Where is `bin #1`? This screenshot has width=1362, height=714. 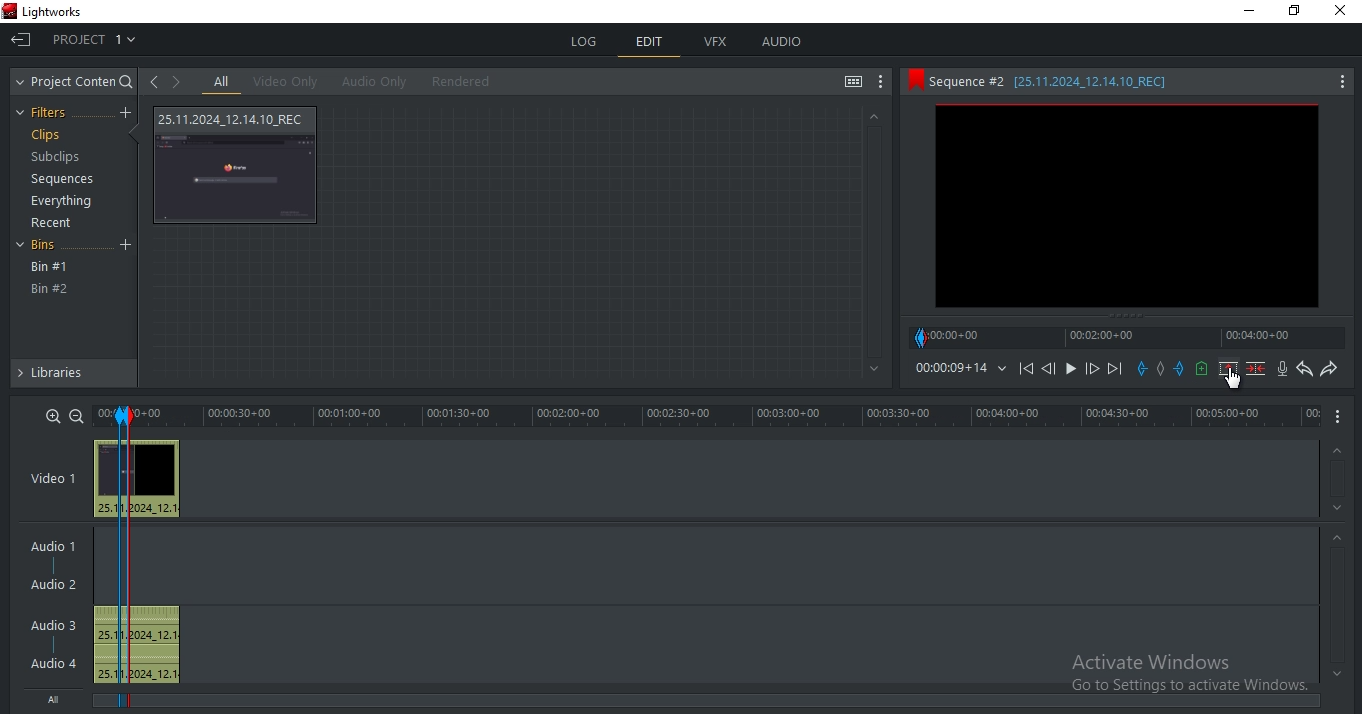 bin #1 is located at coordinates (50, 267).